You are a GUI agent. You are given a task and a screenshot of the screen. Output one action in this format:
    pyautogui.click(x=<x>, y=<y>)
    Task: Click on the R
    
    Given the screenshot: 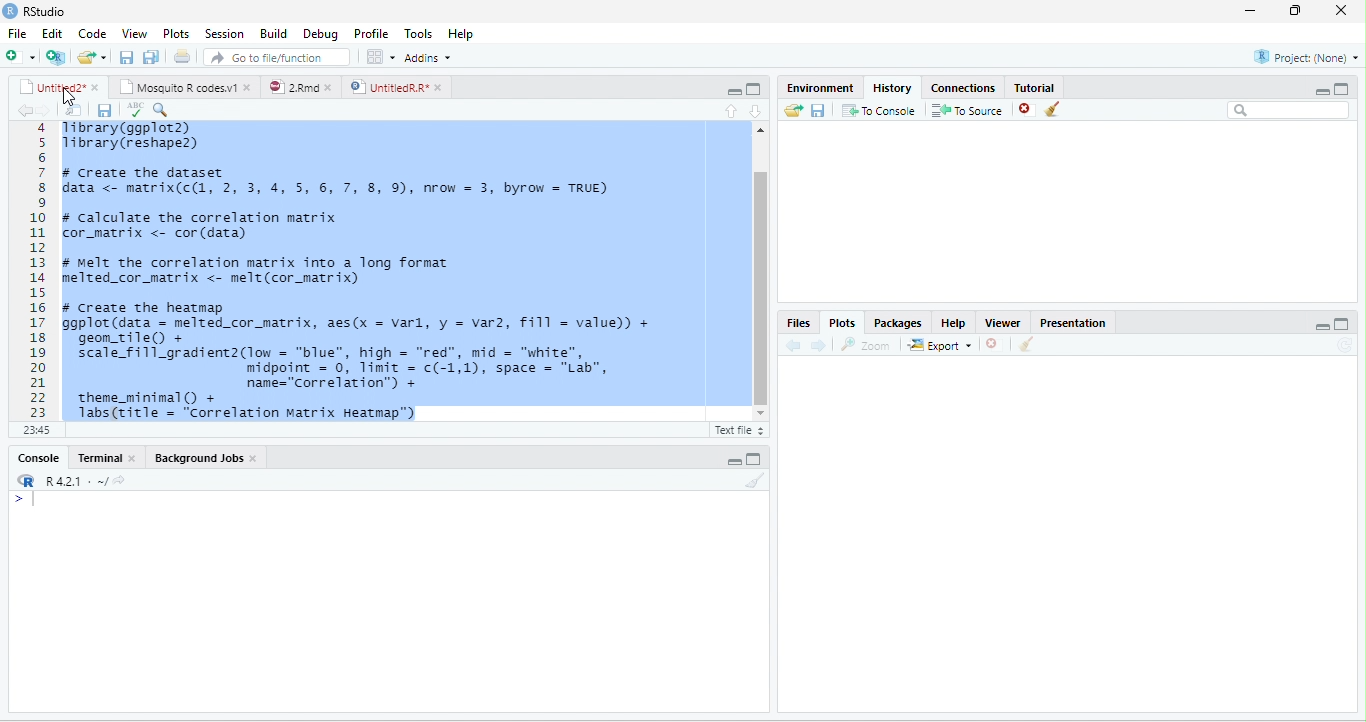 What is the action you would take?
    pyautogui.click(x=72, y=481)
    